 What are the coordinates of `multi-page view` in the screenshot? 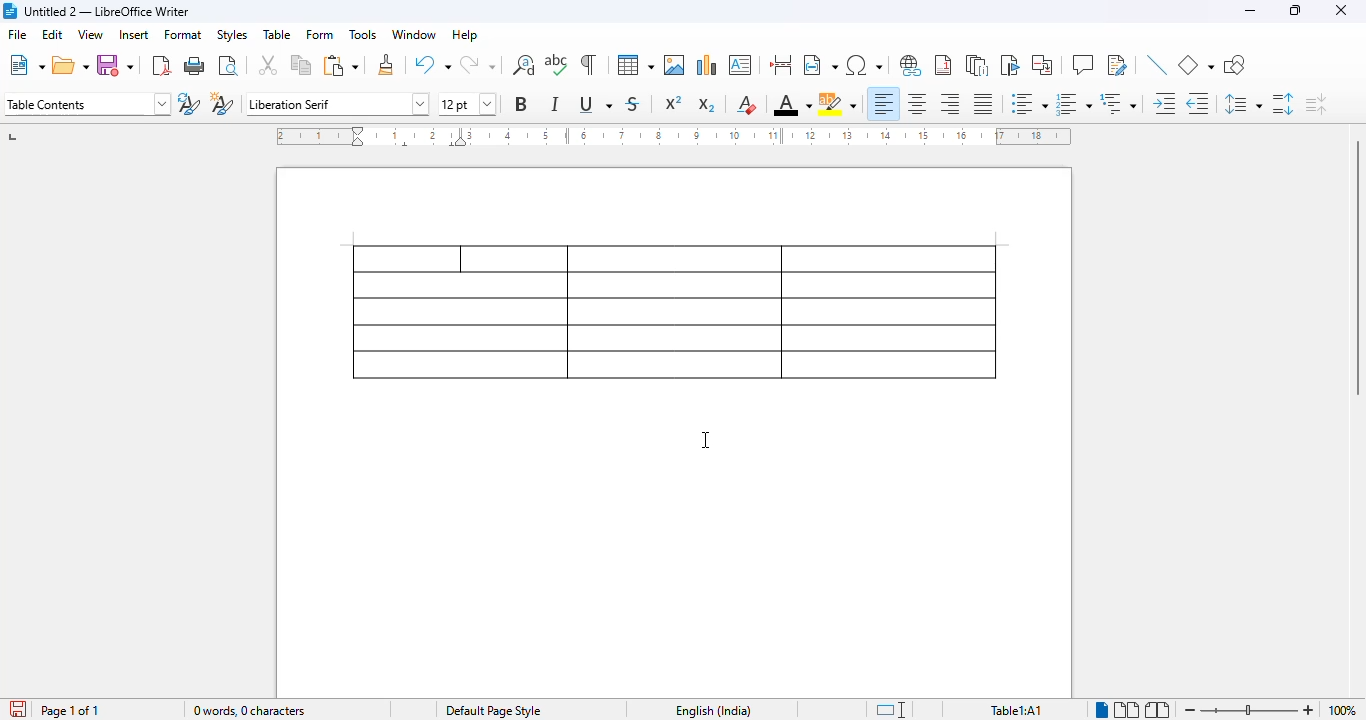 It's located at (1127, 710).